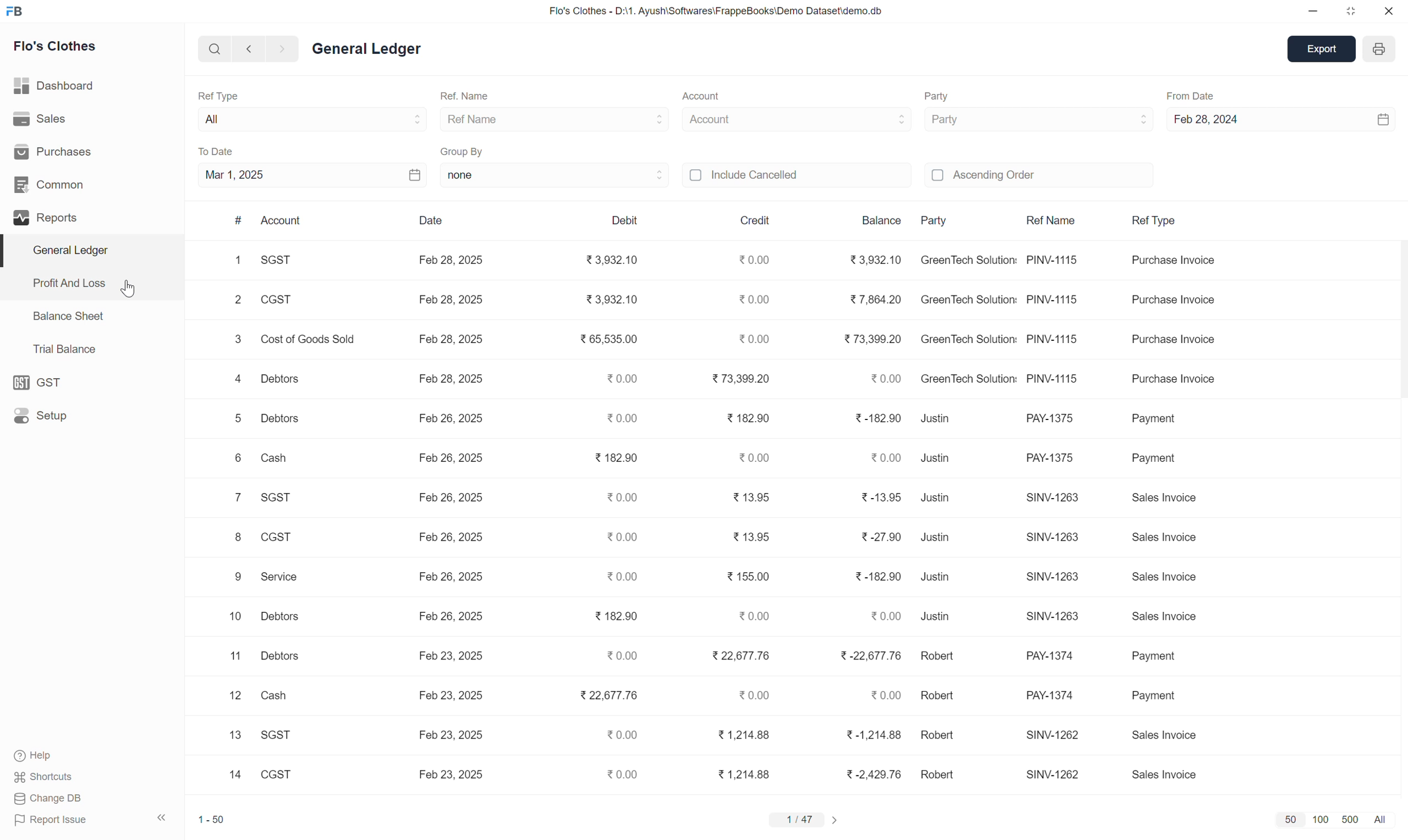 Image resolution: width=1408 pixels, height=840 pixels. Describe the element at coordinates (59, 350) in the screenshot. I see `Trial Balance` at that location.